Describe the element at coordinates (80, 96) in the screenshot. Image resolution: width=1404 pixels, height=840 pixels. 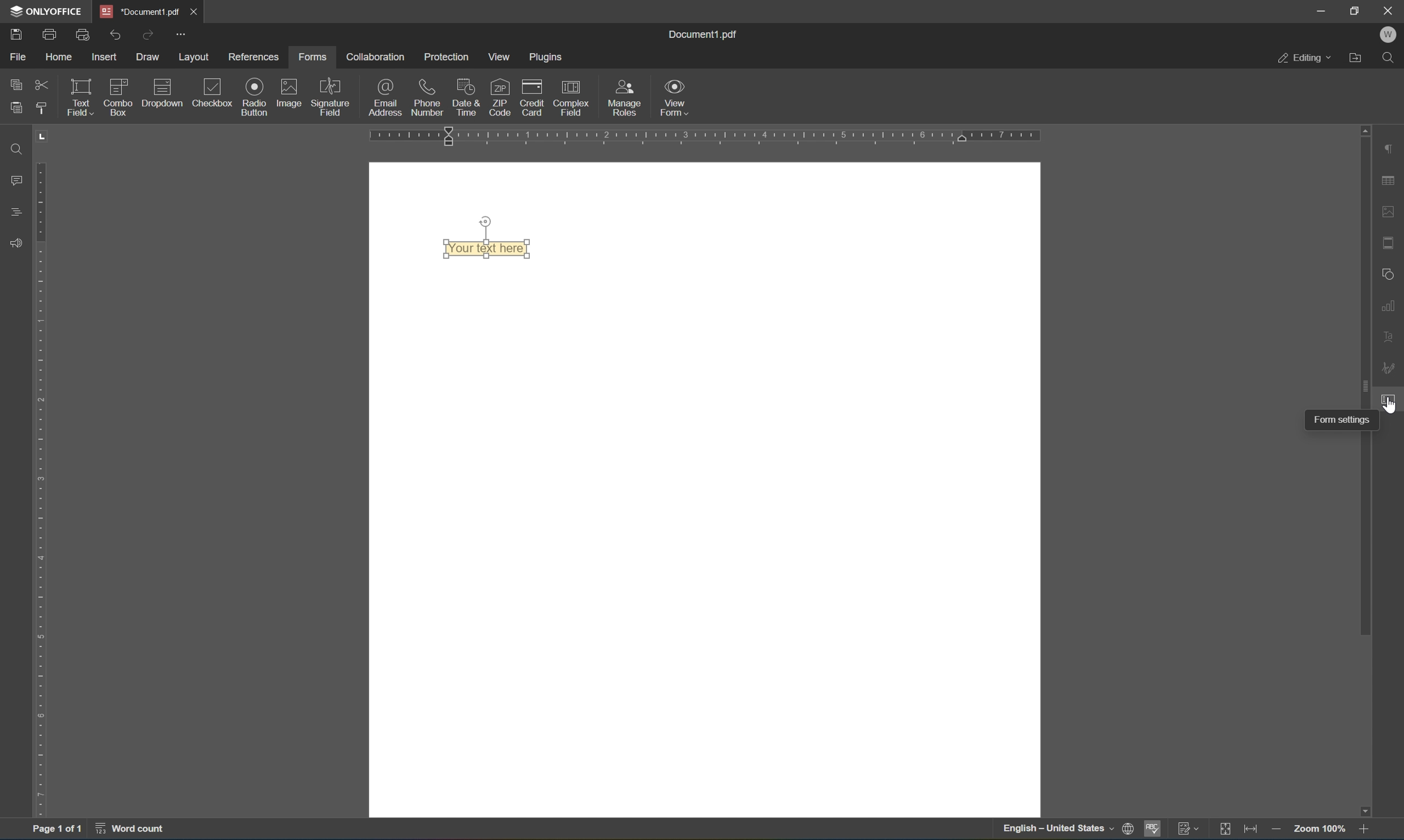
I see `text field` at that location.